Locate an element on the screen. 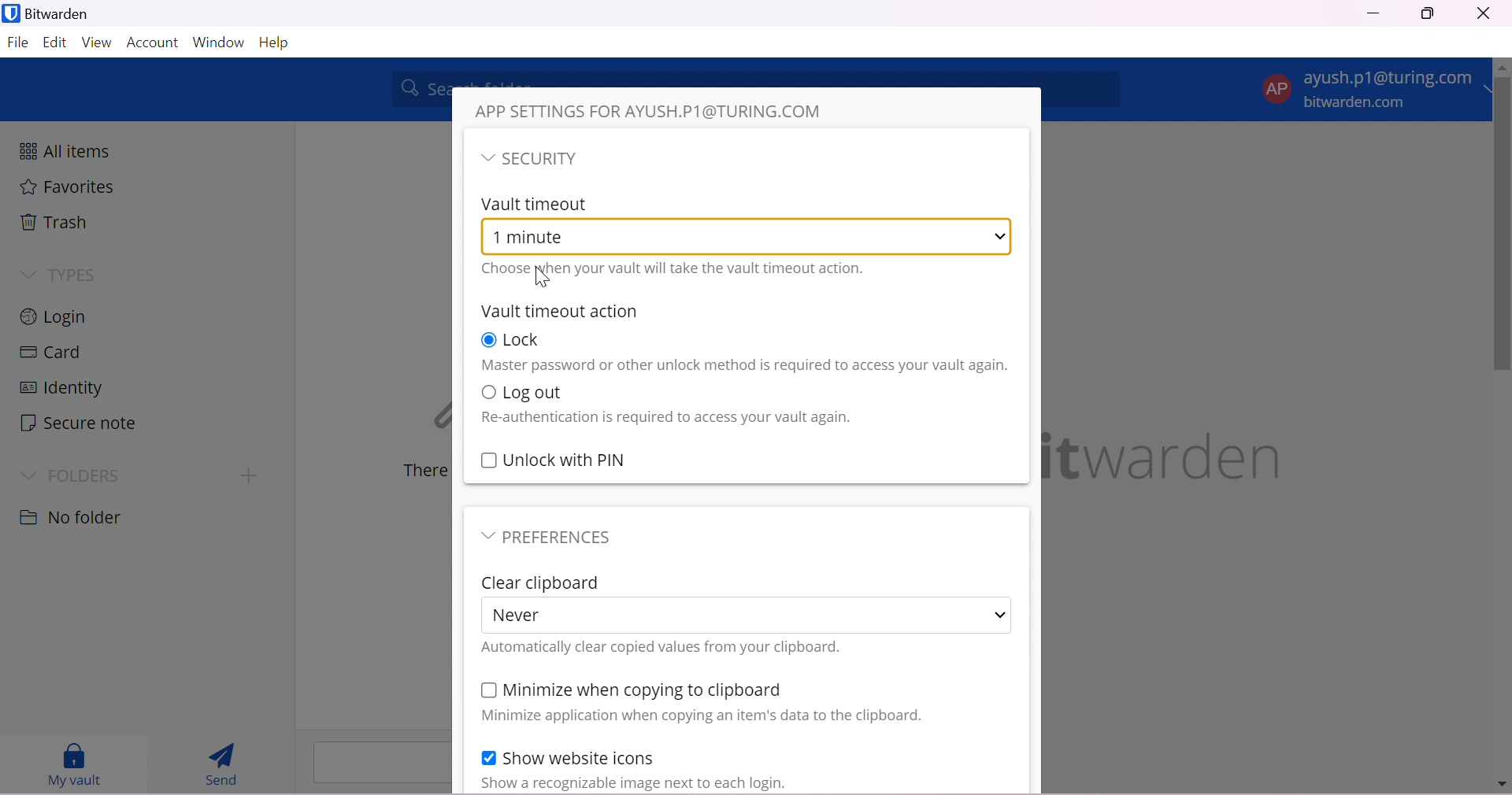 The image size is (1512, 795). create folder is located at coordinates (245, 477).